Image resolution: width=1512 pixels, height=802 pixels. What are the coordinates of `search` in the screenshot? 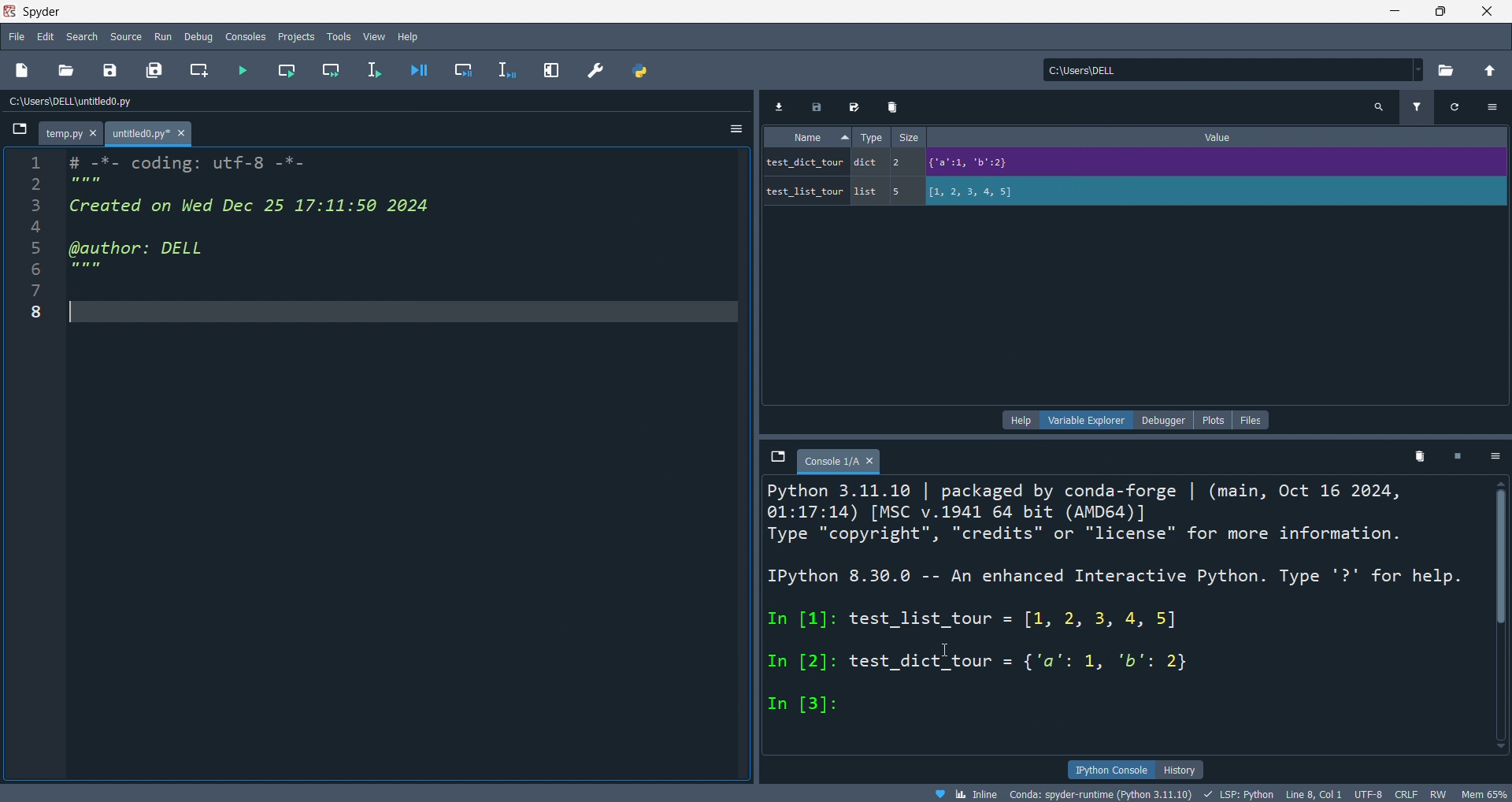 It's located at (83, 35).